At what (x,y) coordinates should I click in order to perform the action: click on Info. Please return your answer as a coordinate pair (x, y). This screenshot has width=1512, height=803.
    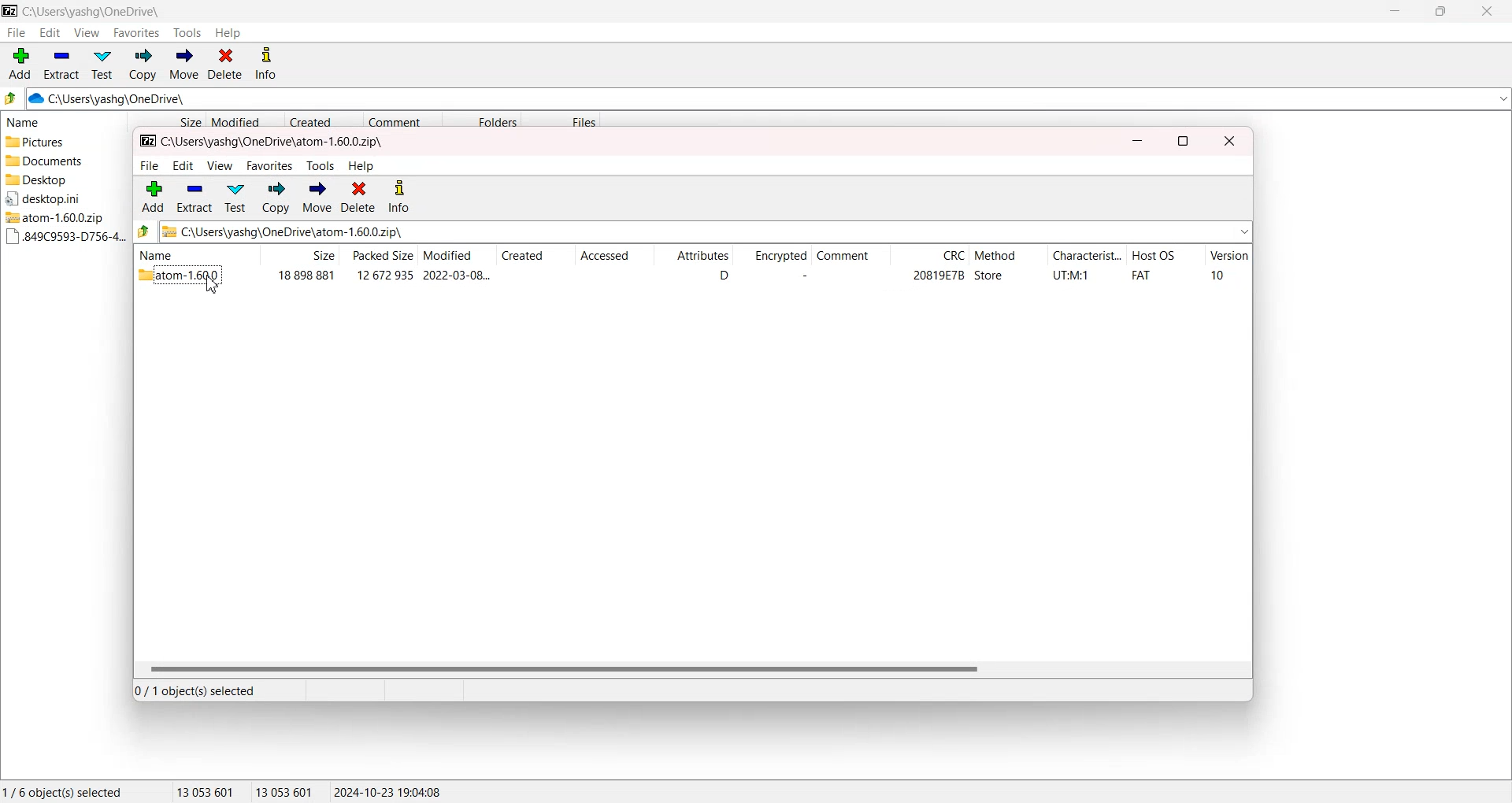
    Looking at the image, I should click on (265, 65).